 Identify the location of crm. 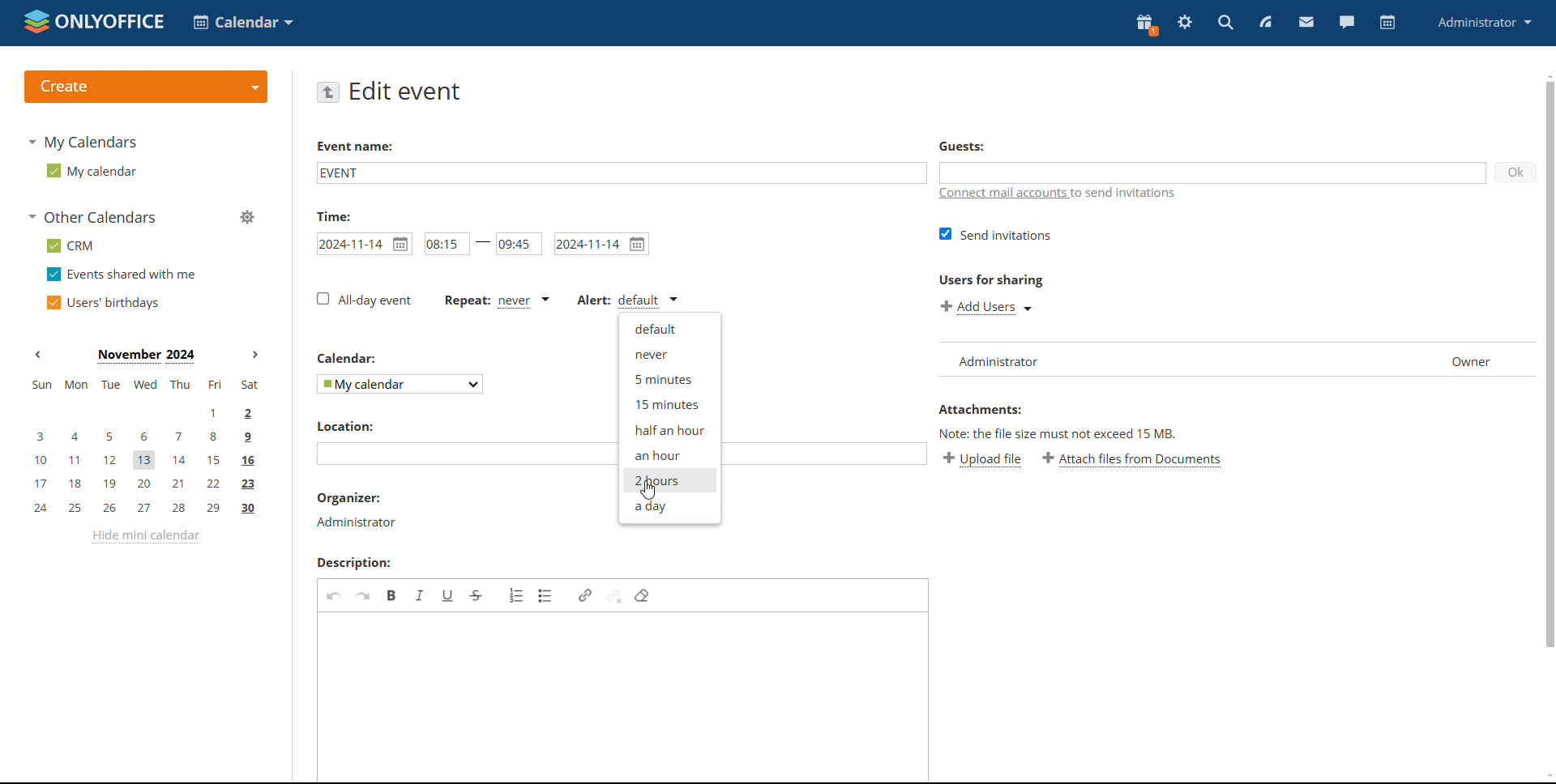
(68, 246).